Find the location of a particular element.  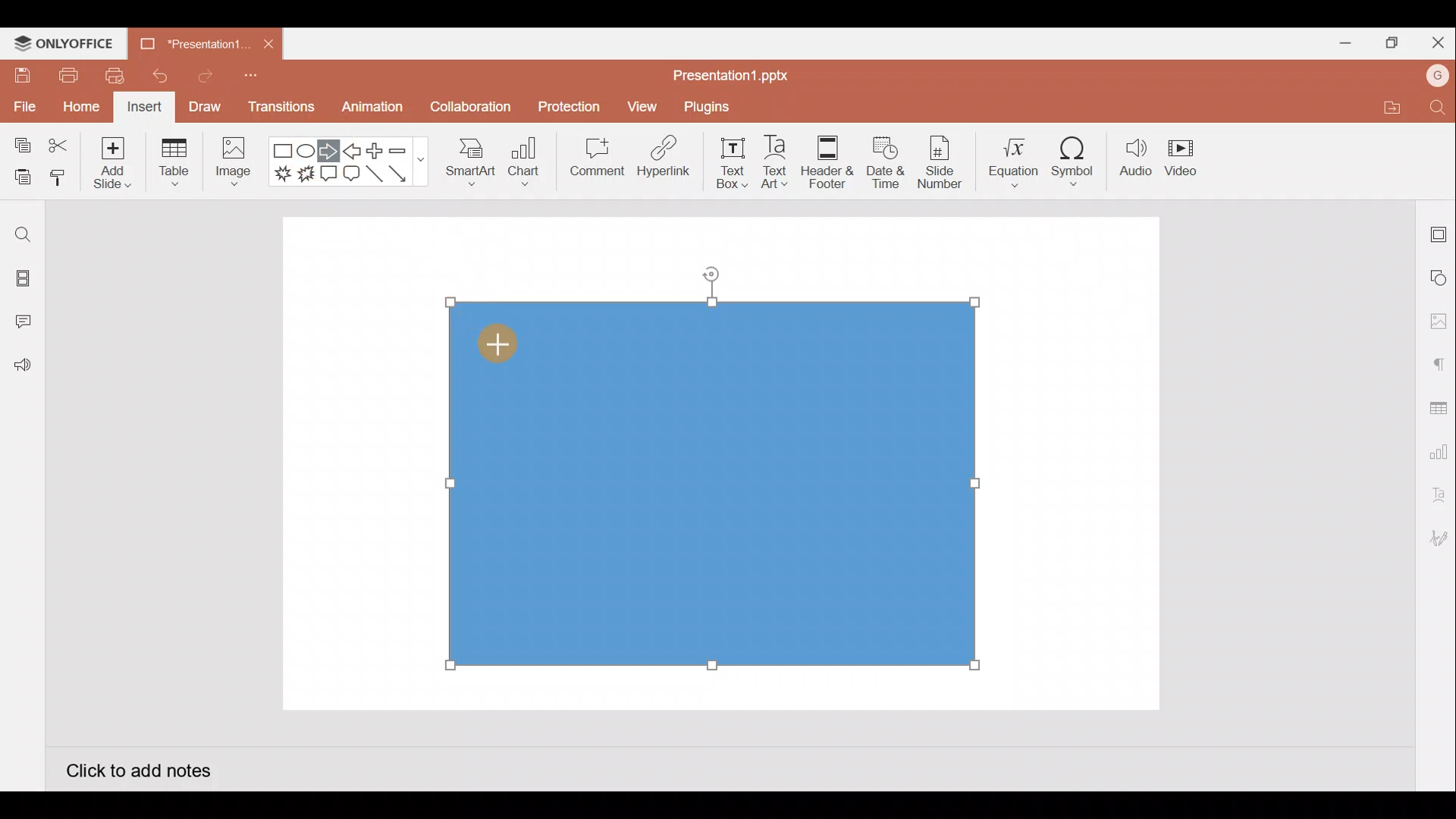

Quick print is located at coordinates (110, 76).